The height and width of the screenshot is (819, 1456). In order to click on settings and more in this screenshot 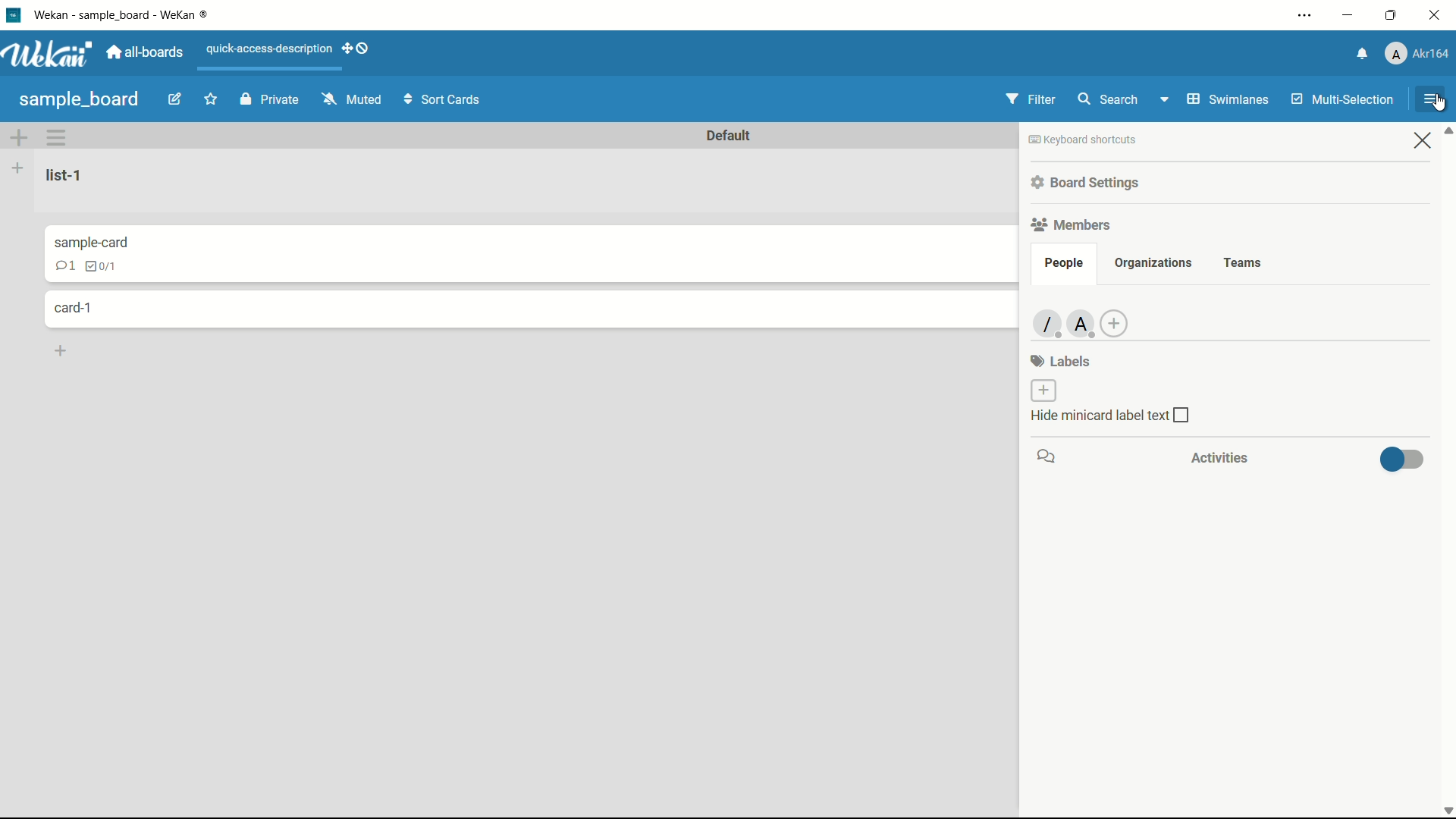, I will do `click(1305, 16)`.